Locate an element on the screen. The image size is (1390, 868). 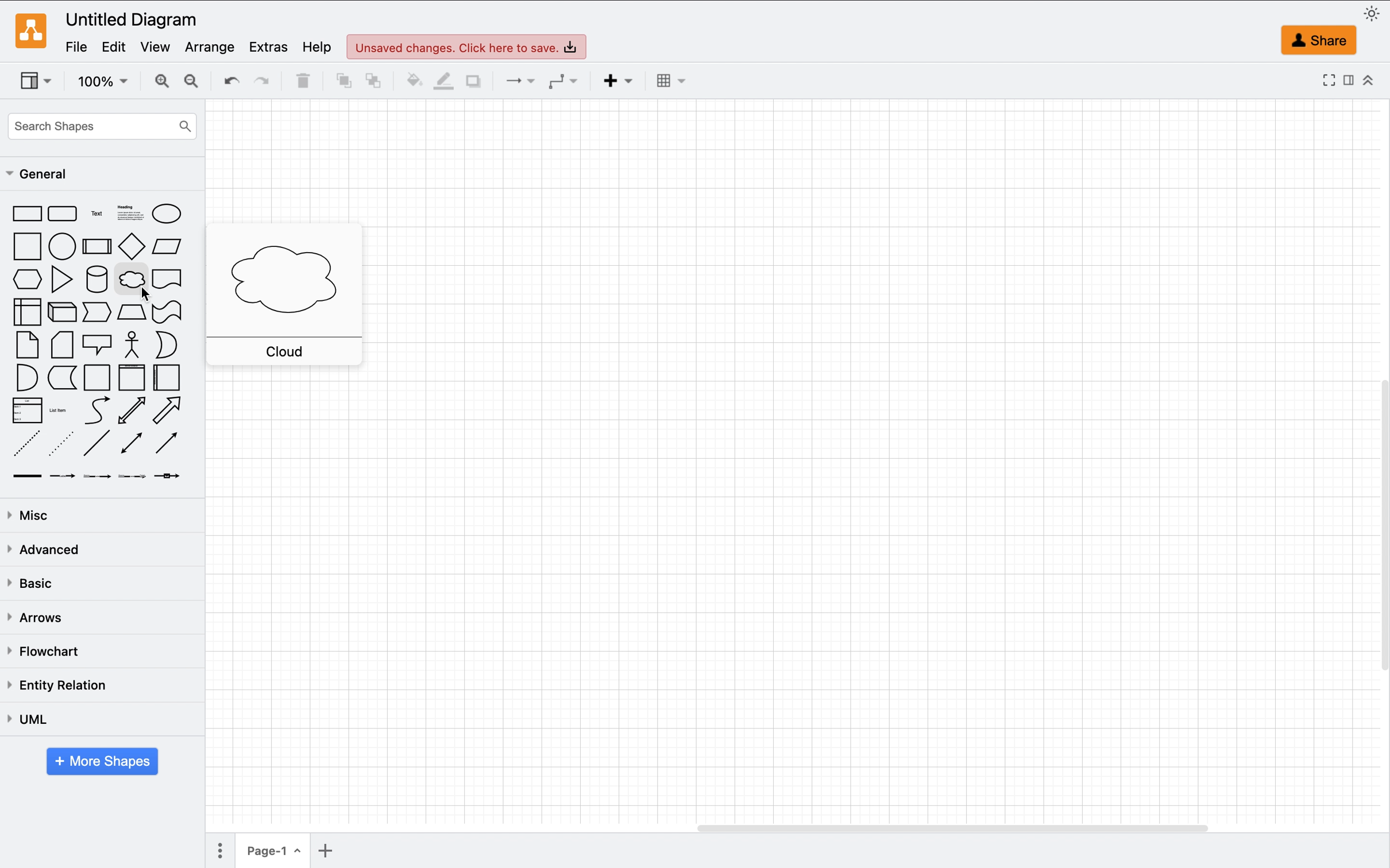
extras is located at coordinates (267, 48).